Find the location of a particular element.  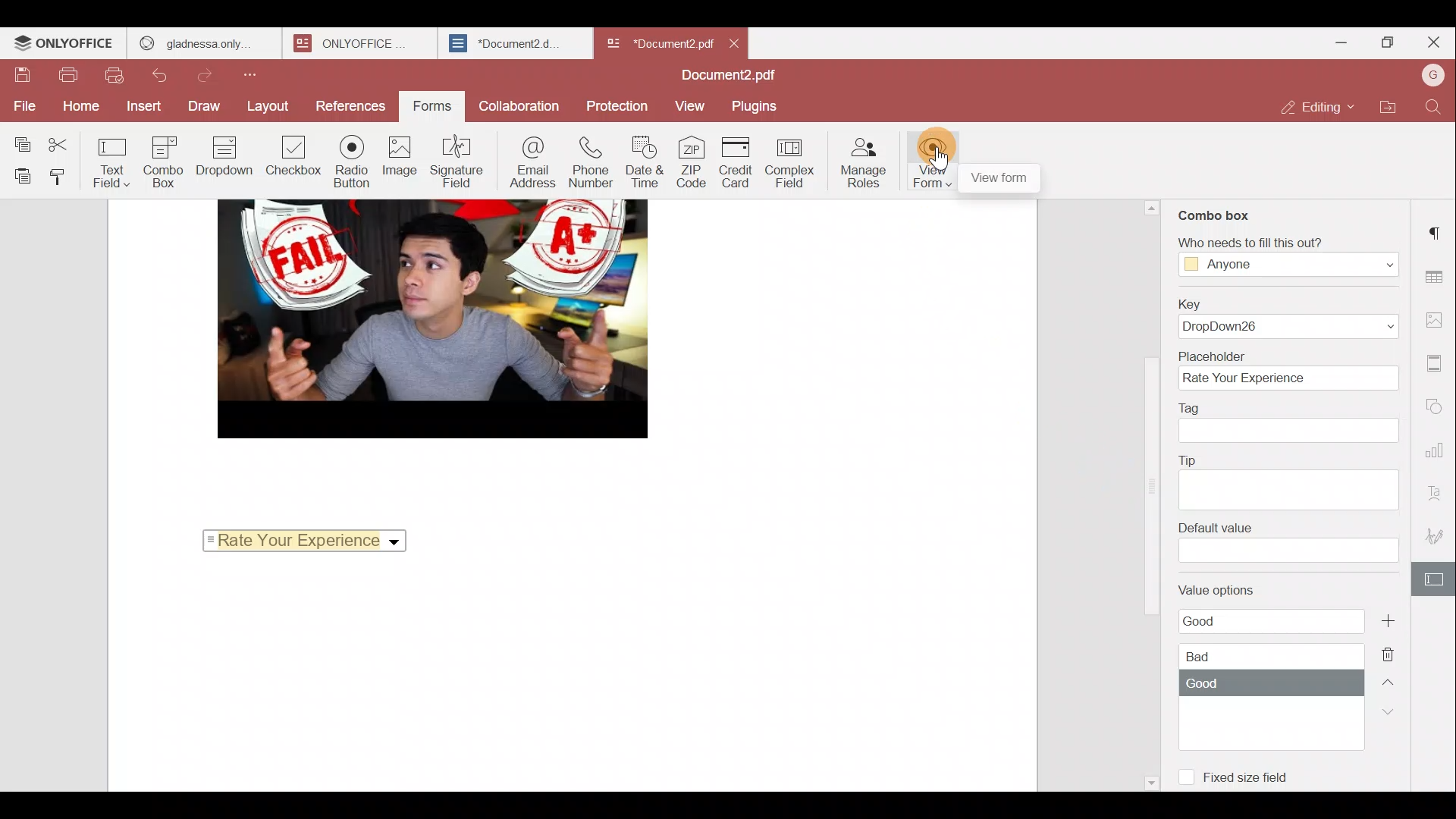

Default value is located at coordinates (1287, 542).